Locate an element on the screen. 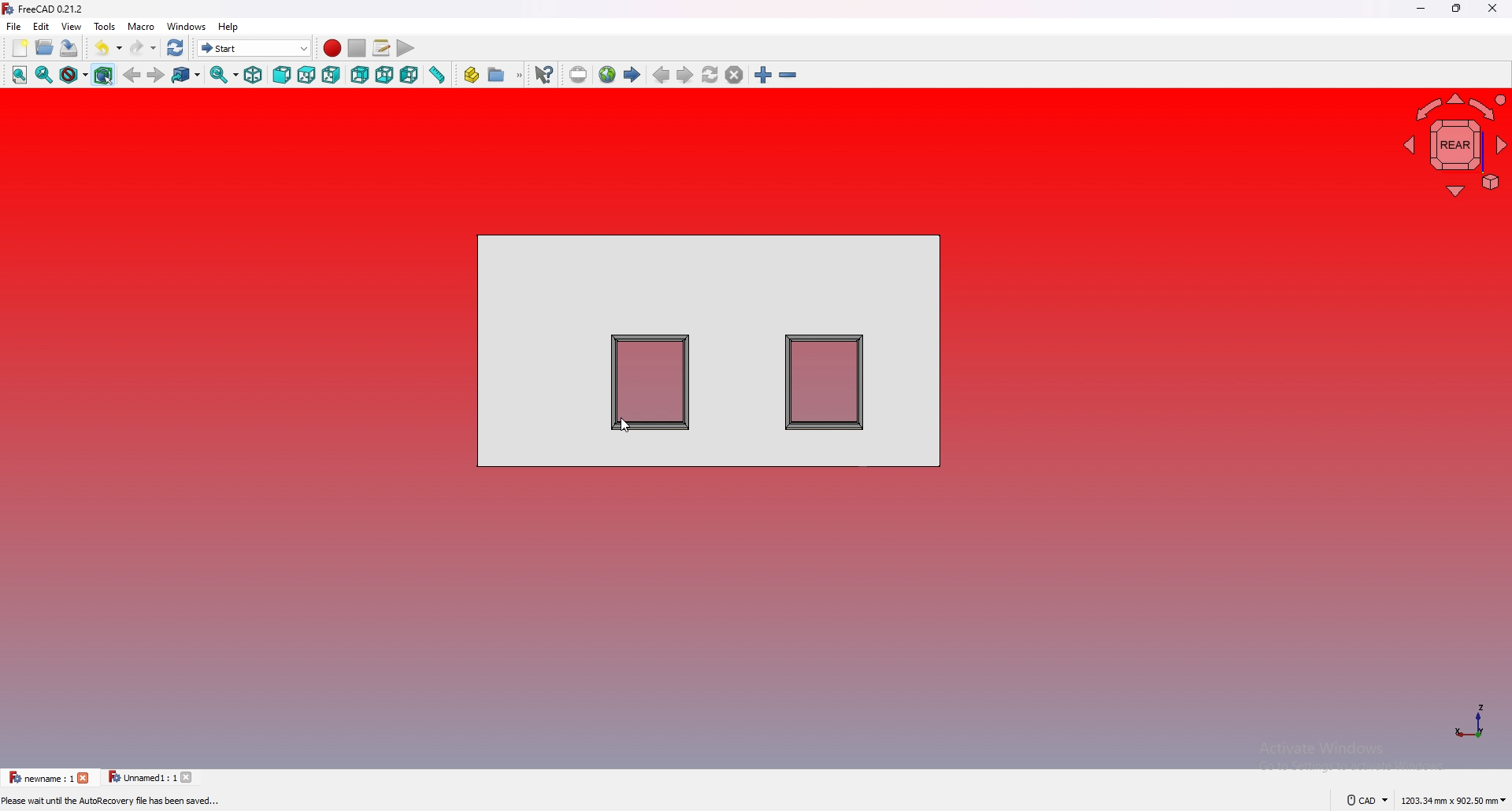 The width and height of the screenshot is (1512, 811). help is located at coordinates (228, 27).